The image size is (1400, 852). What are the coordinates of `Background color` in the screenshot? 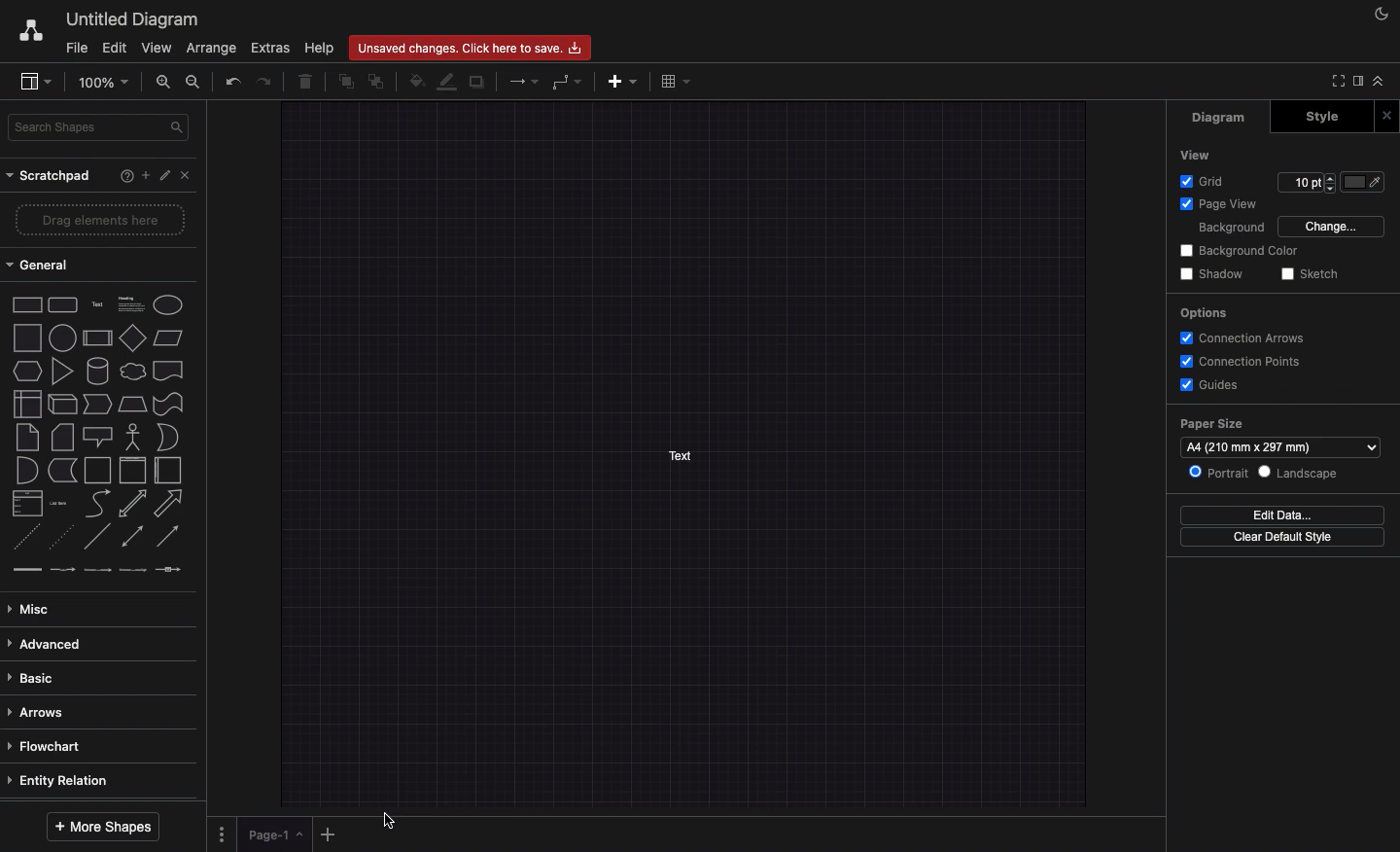 It's located at (1238, 251).